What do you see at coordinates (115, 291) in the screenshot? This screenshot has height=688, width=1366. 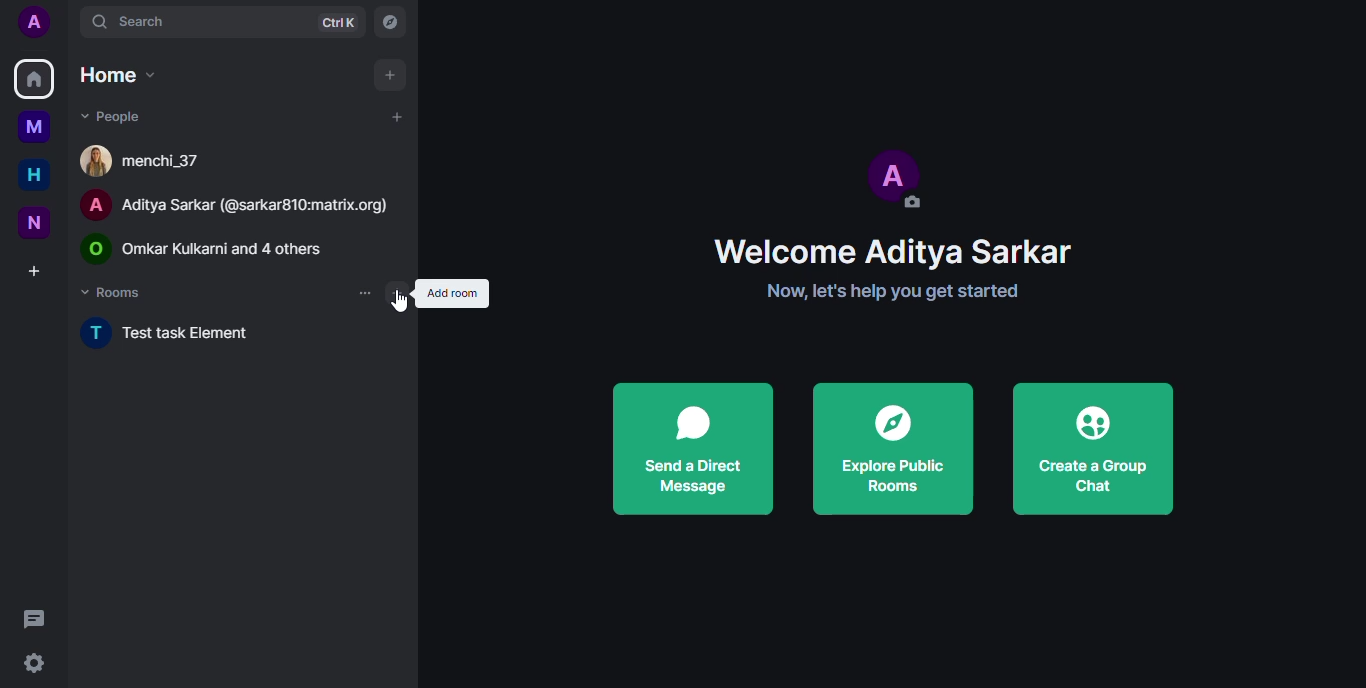 I see `rooms` at bounding box center [115, 291].